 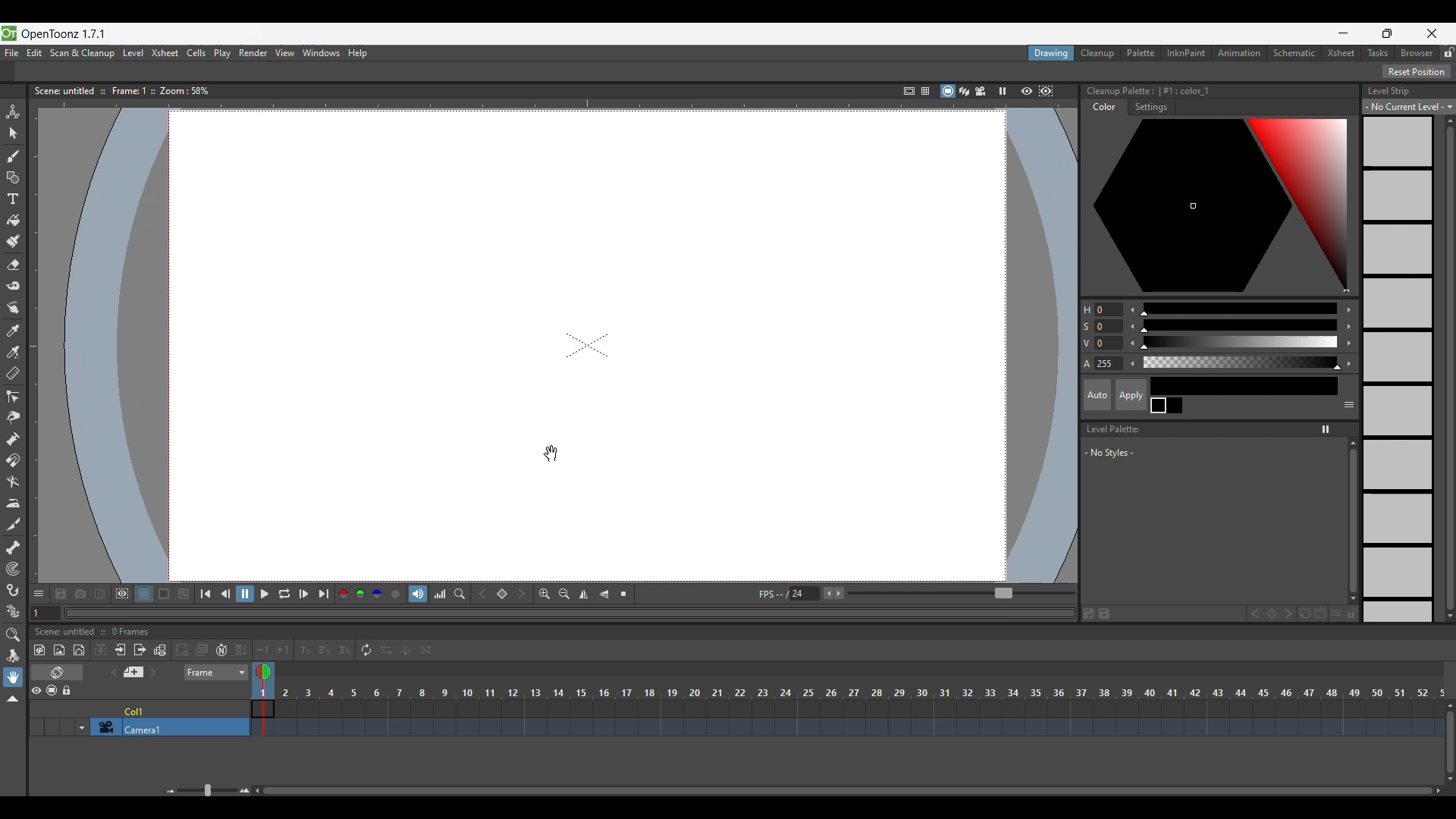 I want to click on Loop, so click(x=284, y=593).